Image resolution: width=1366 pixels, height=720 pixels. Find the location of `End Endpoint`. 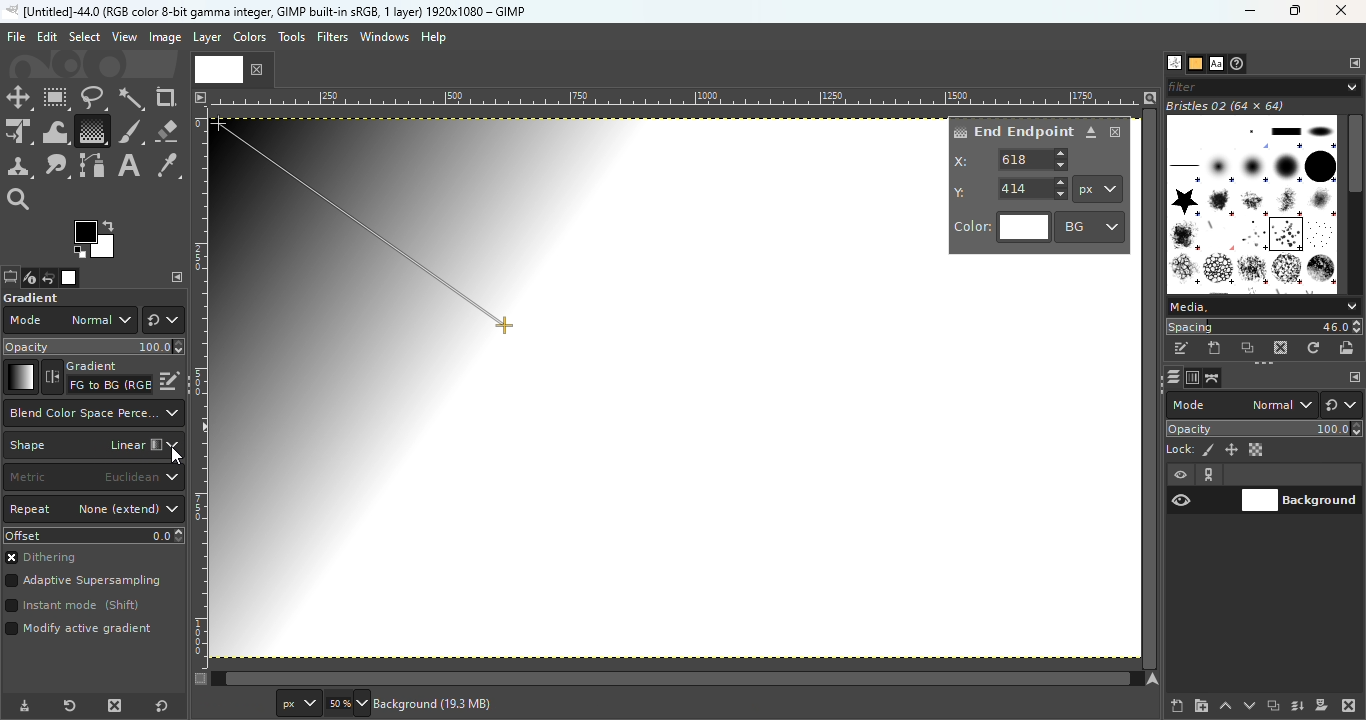

End Endpoint is located at coordinates (1012, 130).